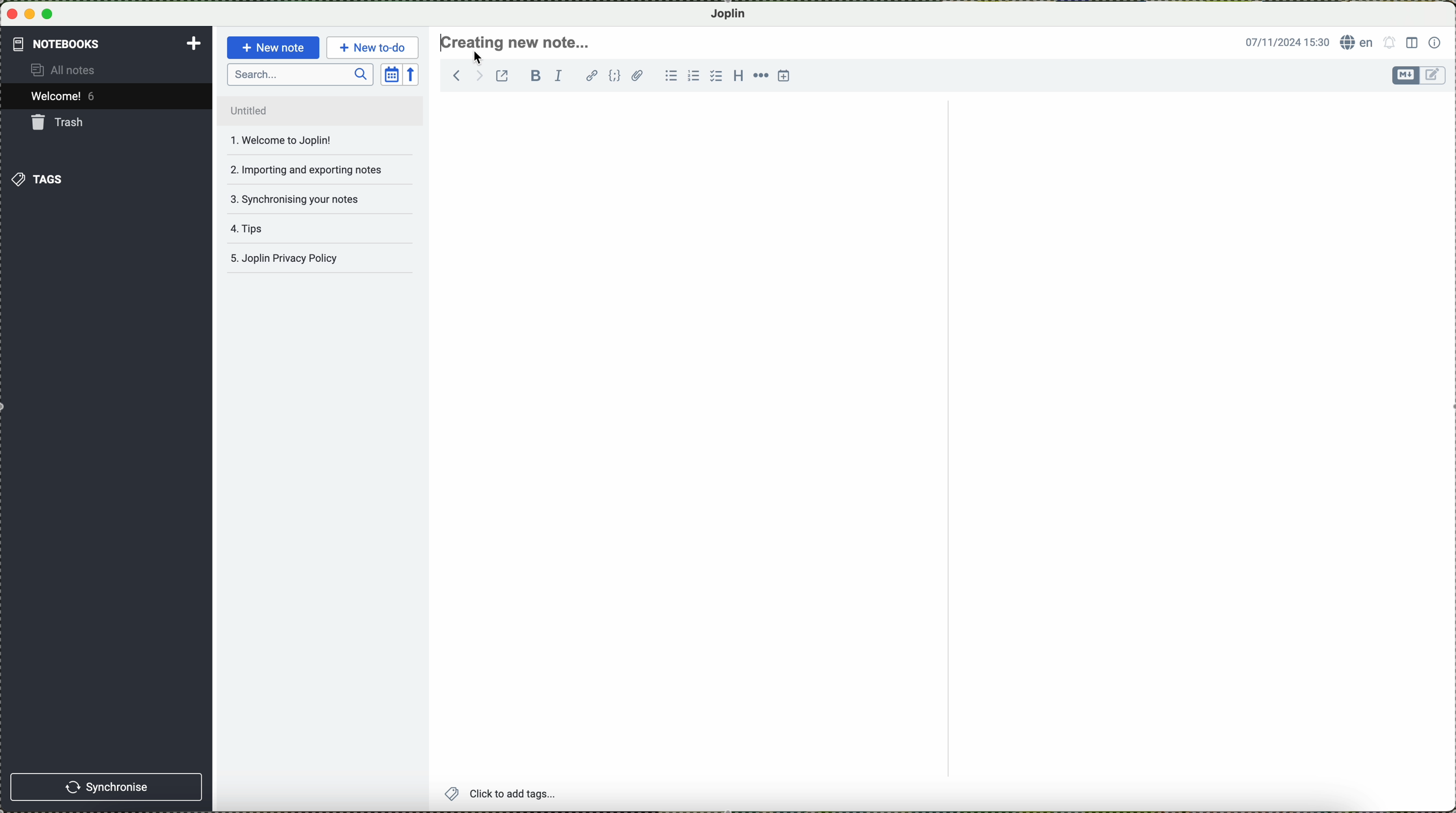 The width and height of the screenshot is (1456, 813). Describe the element at coordinates (760, 75) in the screenshot. I see `horizontal rule` at that location.